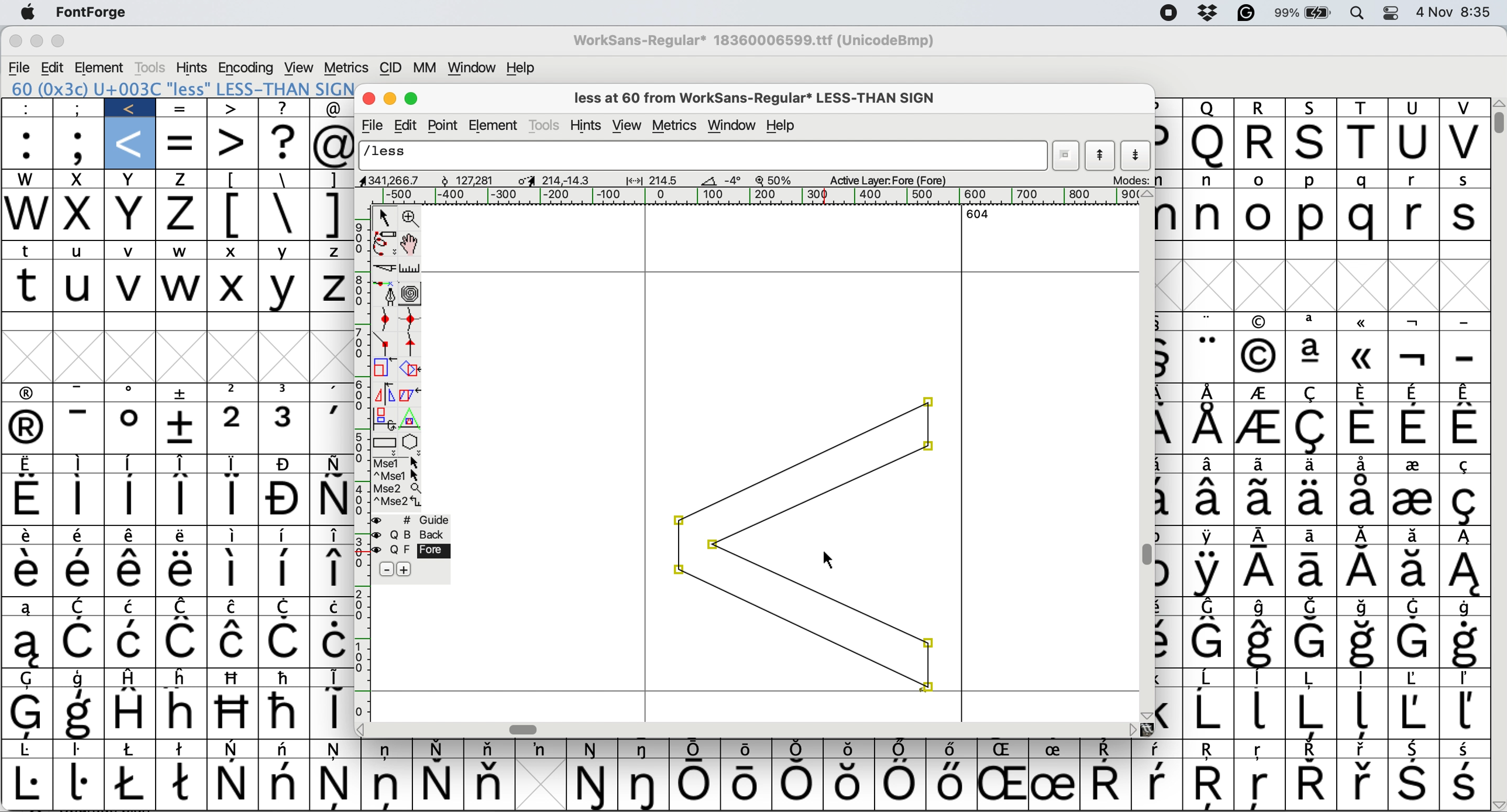  What do you see at coordinates (1310, 678) in the screenshot?
I see `Symbol` at bounding box center [1310, 678].